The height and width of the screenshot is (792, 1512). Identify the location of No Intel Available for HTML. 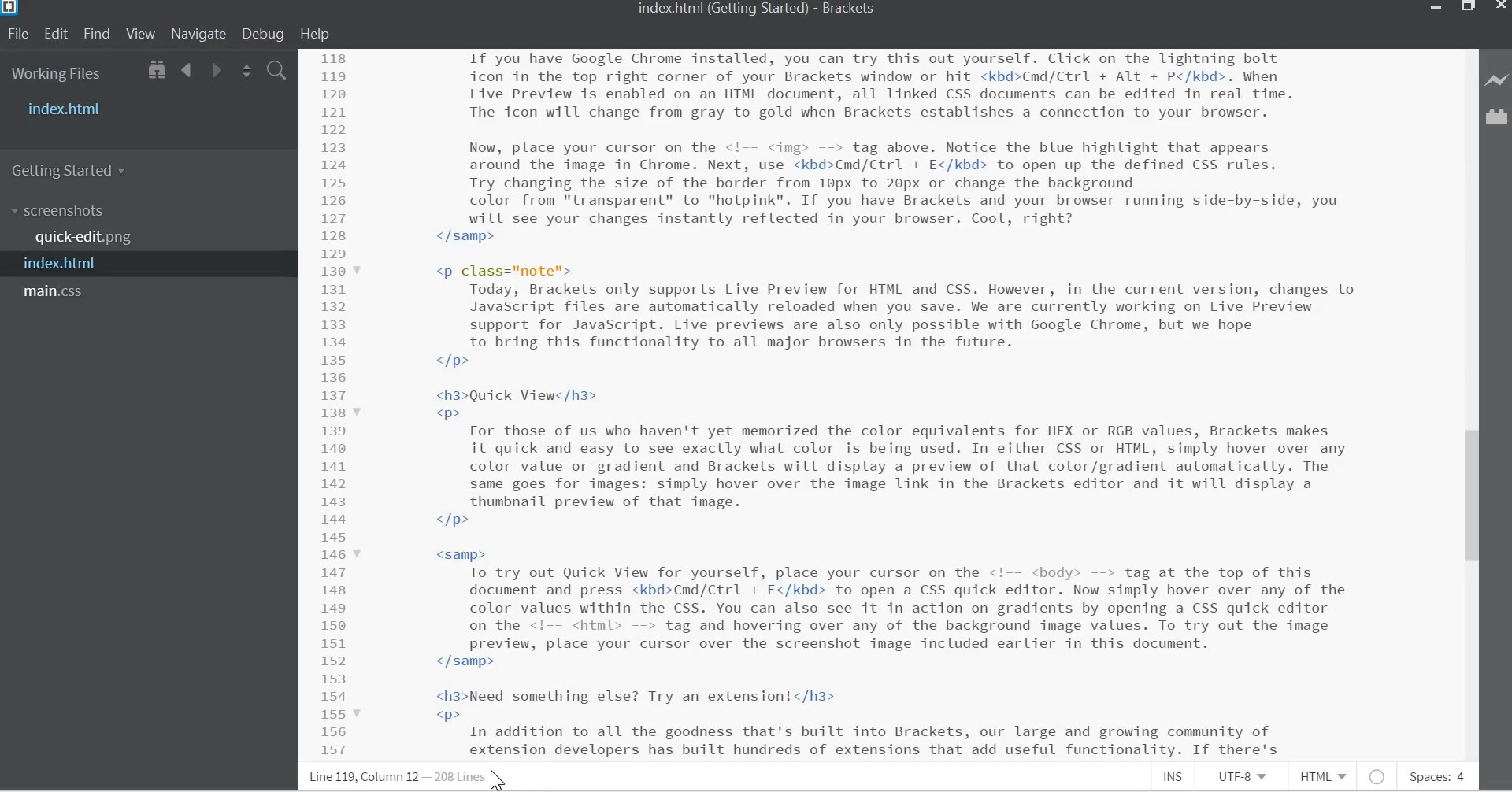
(1377, 778).